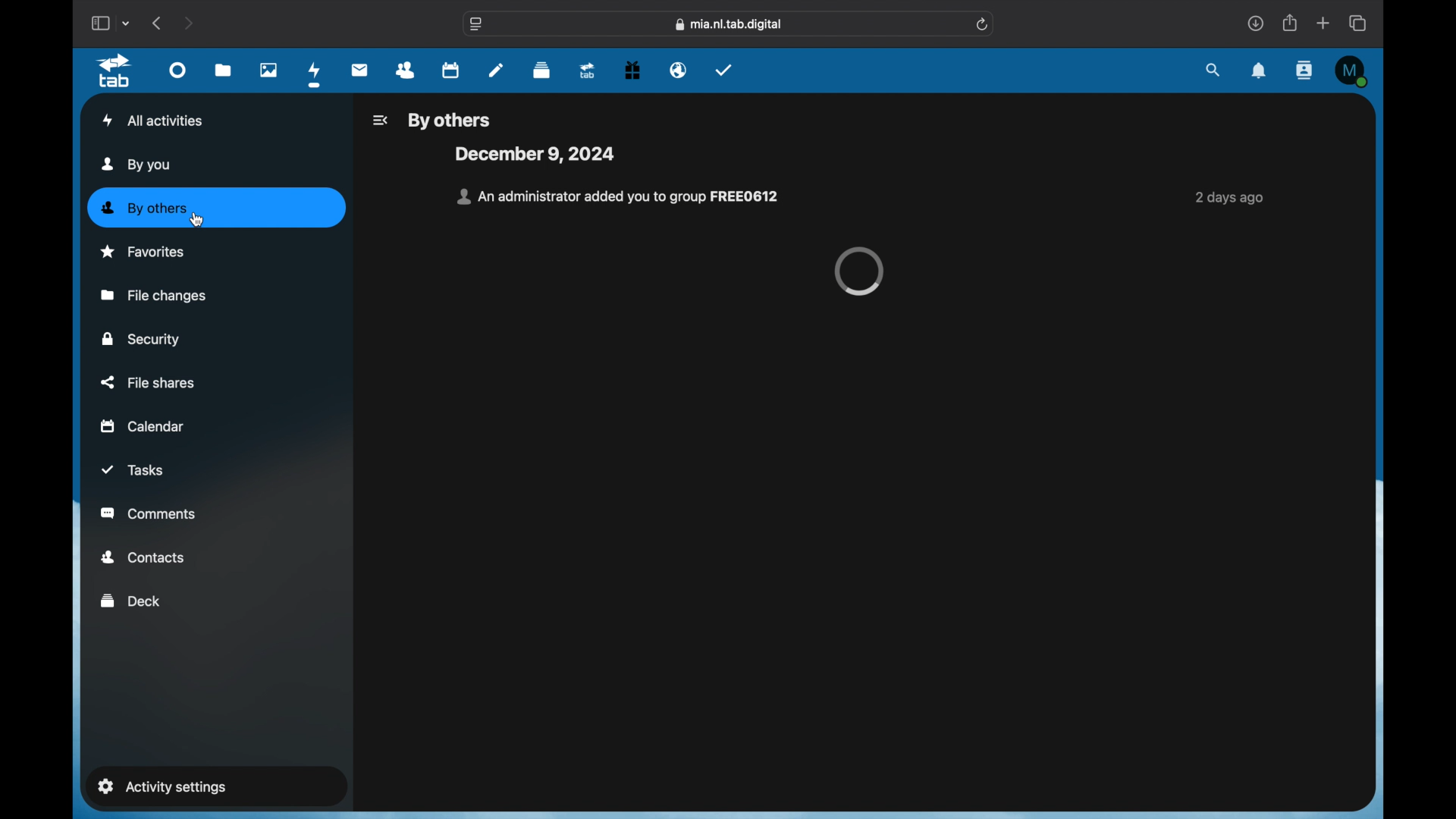 The height and width of the screenshot is (819, 1456). I want to click on next, so click(190, 24).